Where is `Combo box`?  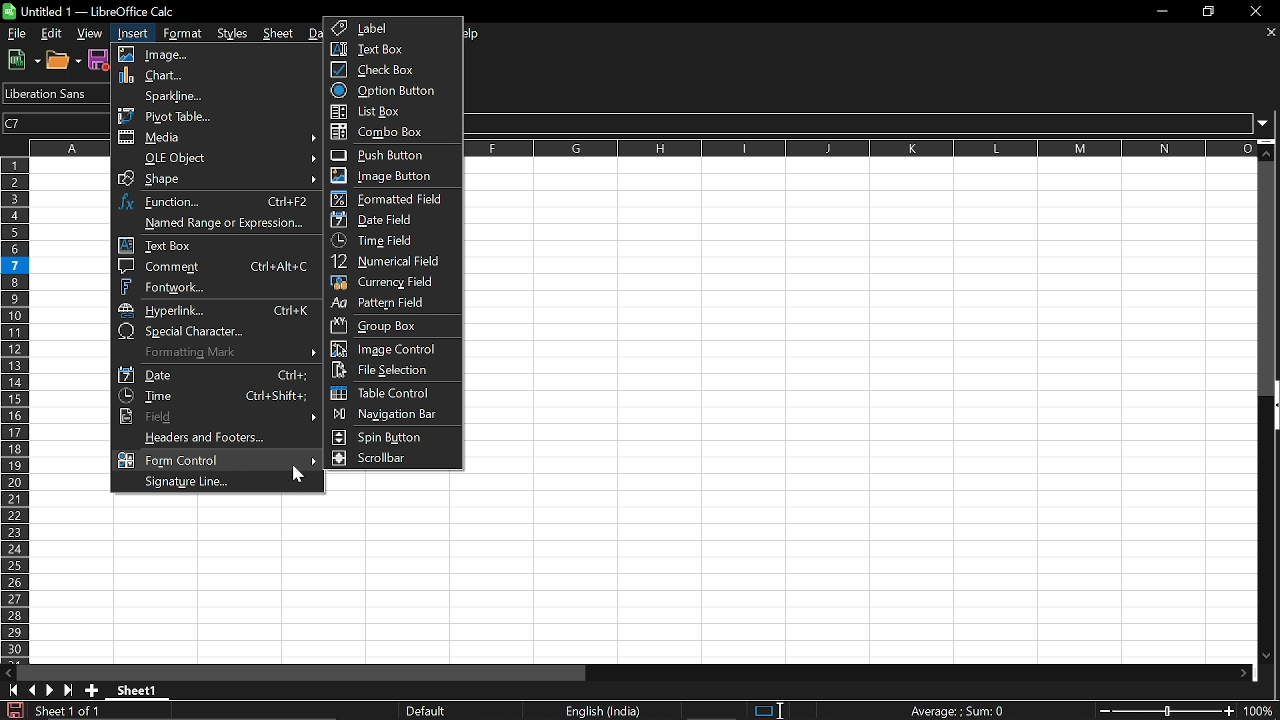 Combo box is located at coordinates (395, 132).